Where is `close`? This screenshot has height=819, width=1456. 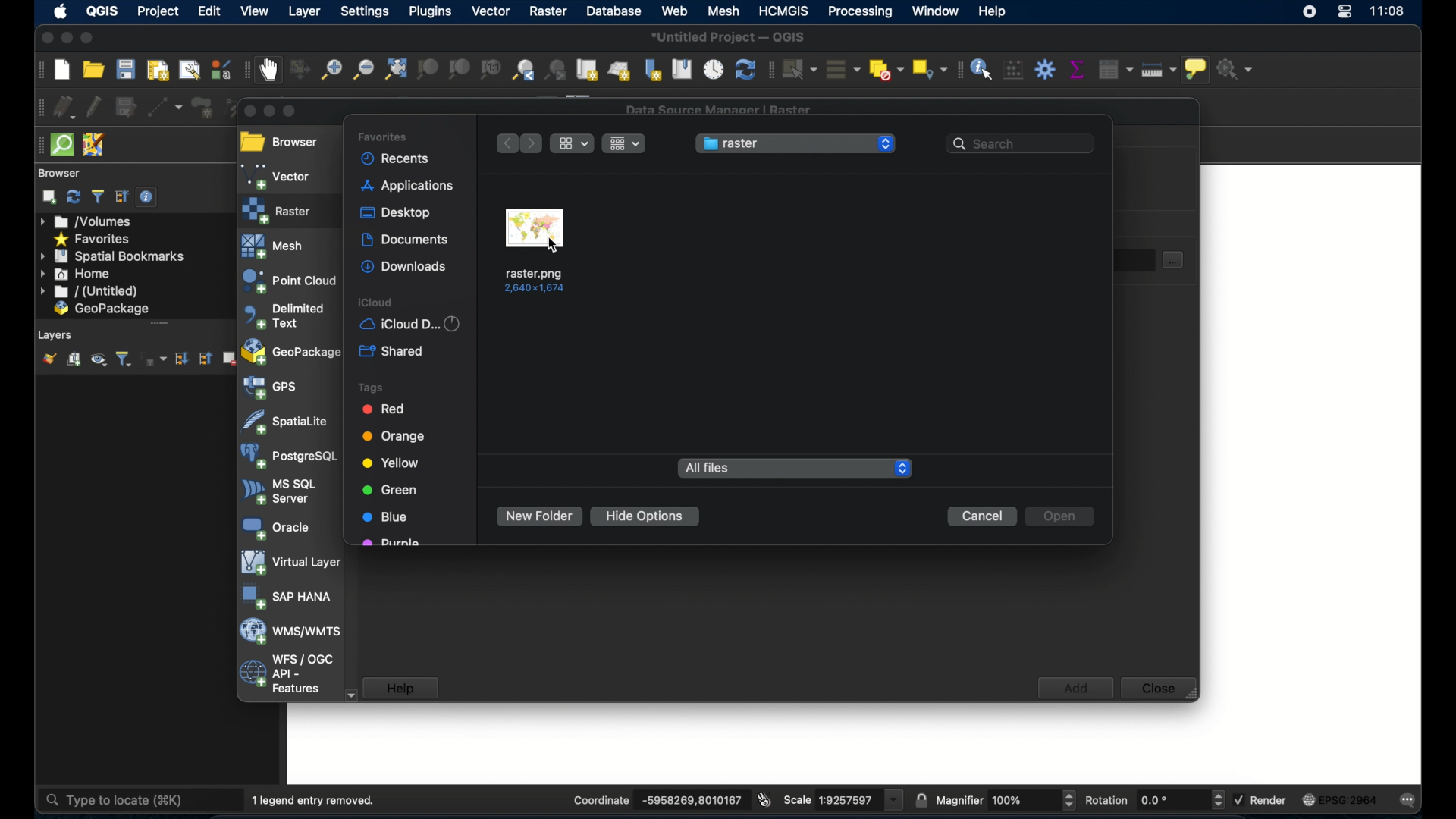 close is located at coordinates (247, 111).